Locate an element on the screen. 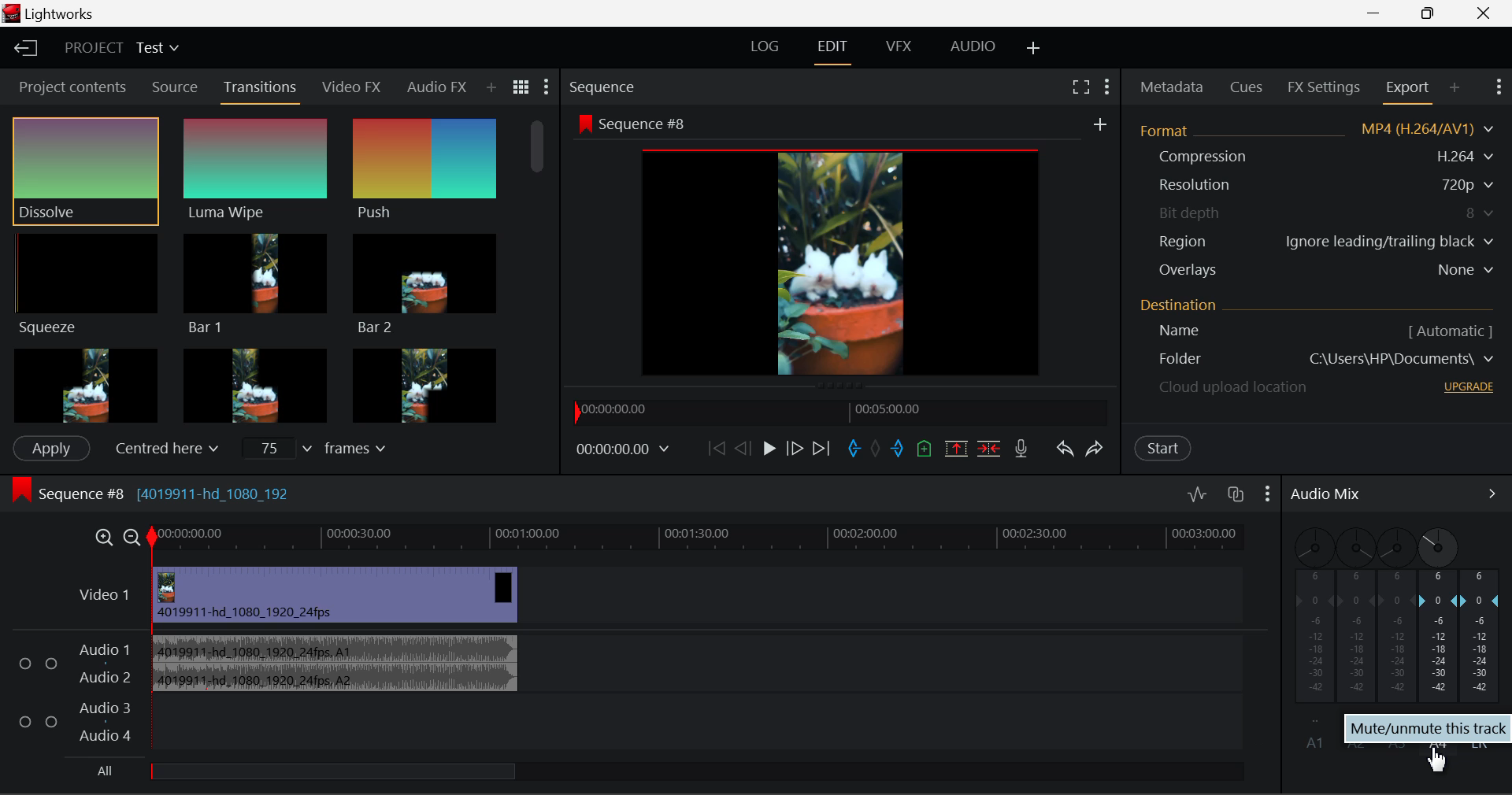 The height and width of the screenshot is (795, 1512). Show Settings is located at coordinates (1266, 498).